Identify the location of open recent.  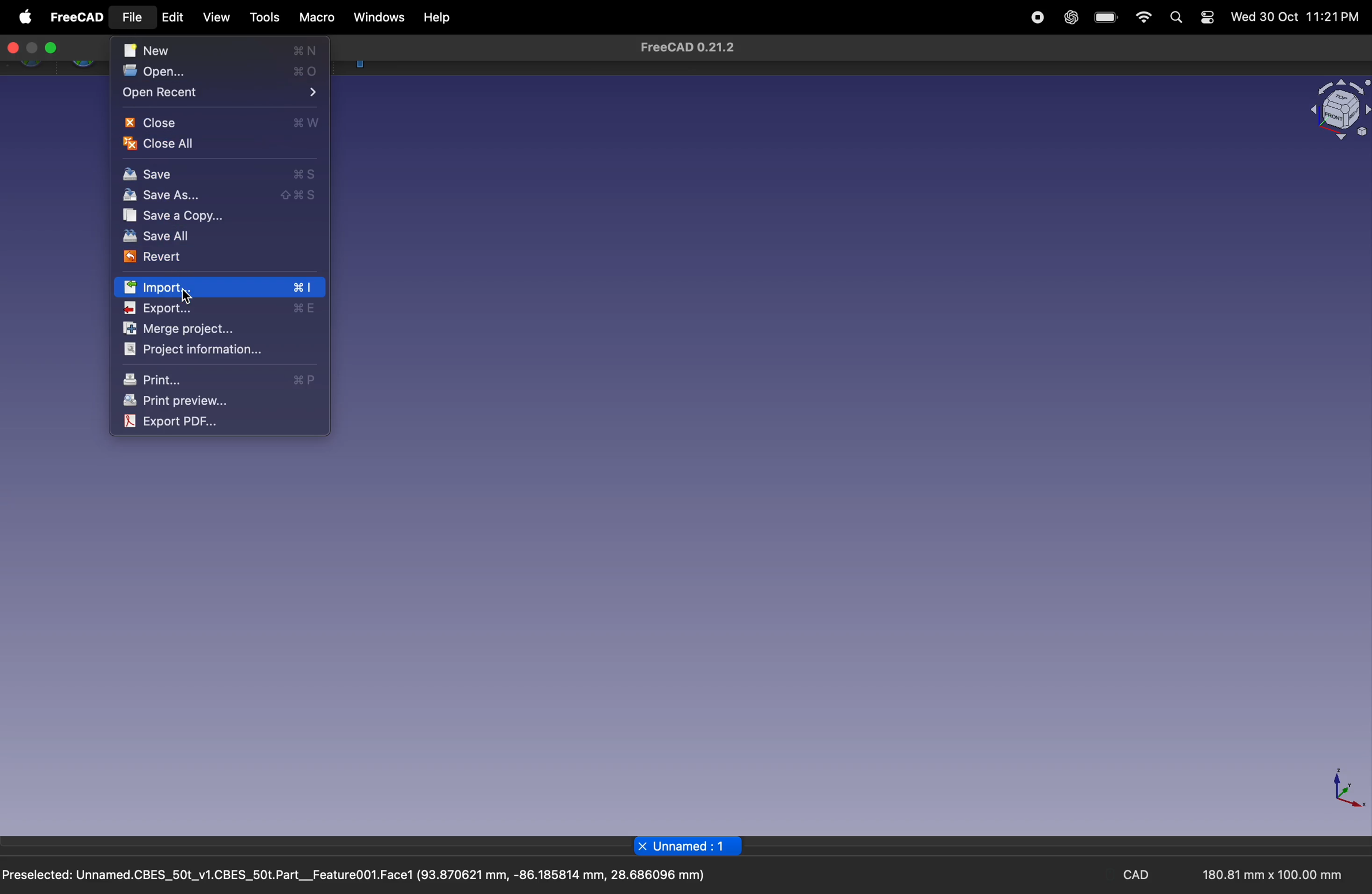
(220, 93).